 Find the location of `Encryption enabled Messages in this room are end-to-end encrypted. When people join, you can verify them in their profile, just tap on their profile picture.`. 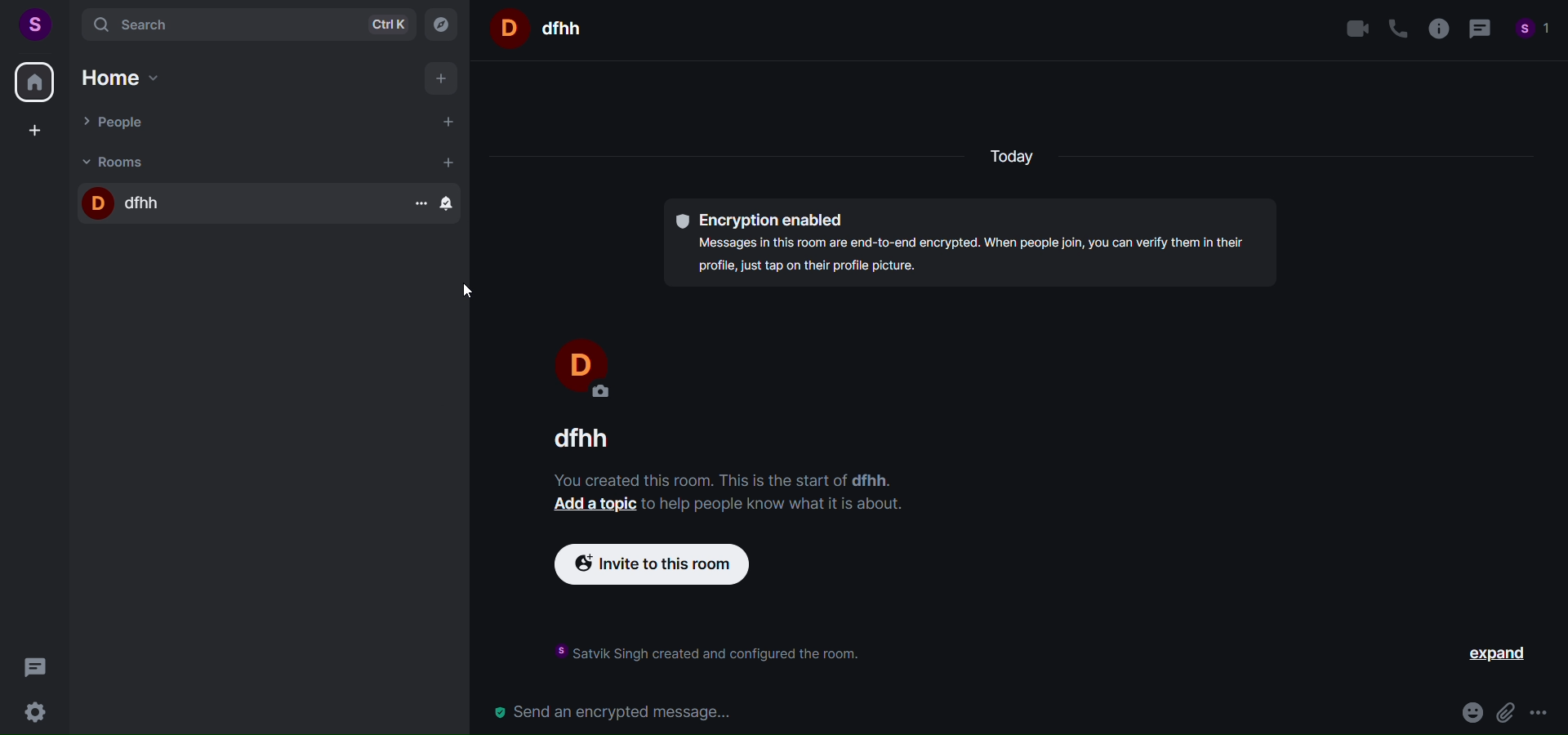

Encryption enabled Messages in this room are end-to-end encrypted. When people join, you can verify them in their profile, just tap on their profile picture. is located at coordinates (970, 245).